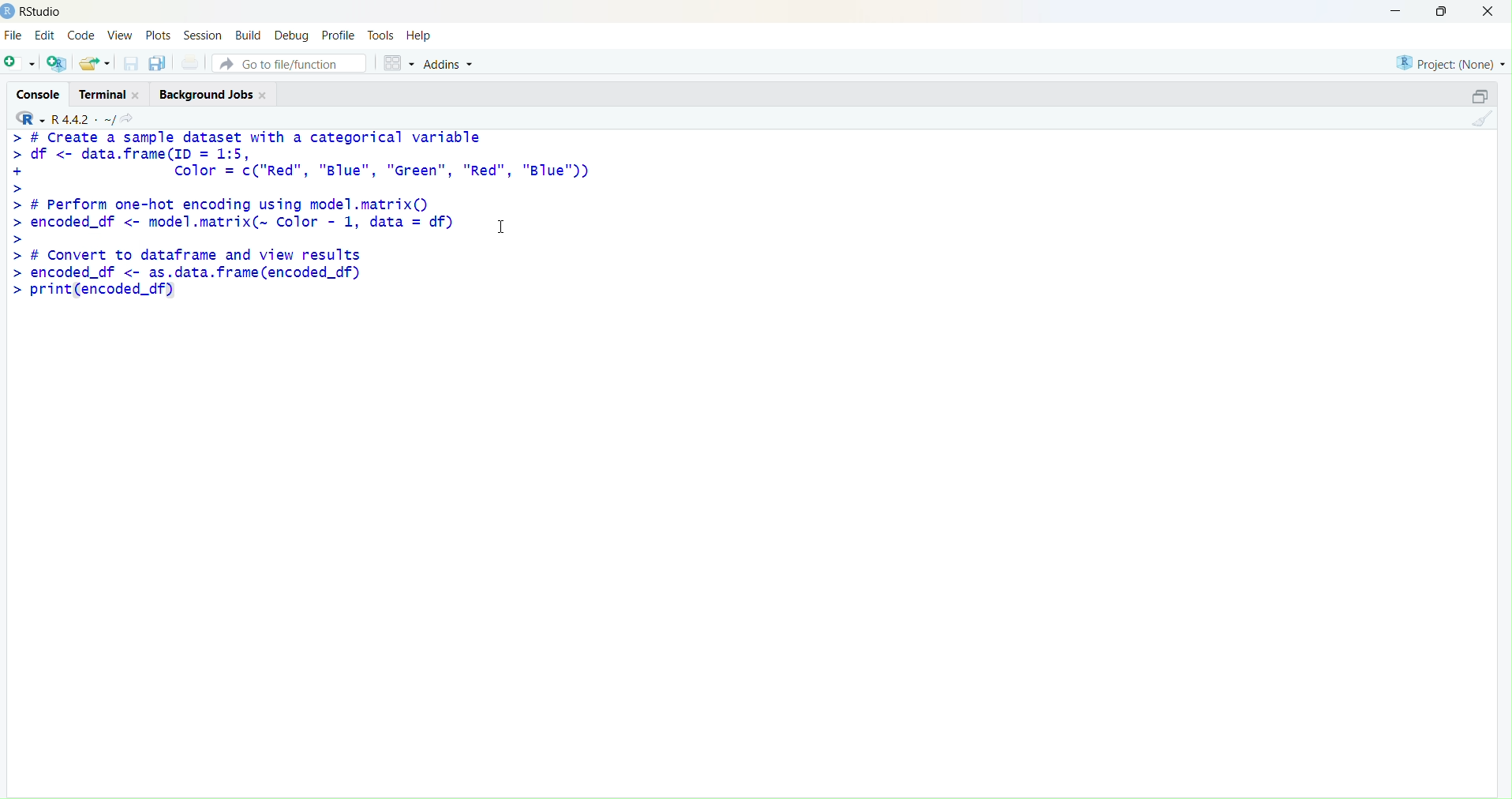 This screenshot has height=799, width=1512. Describe the element at coordinates (451, 65) in the screenshot. I see `addins` at that location.